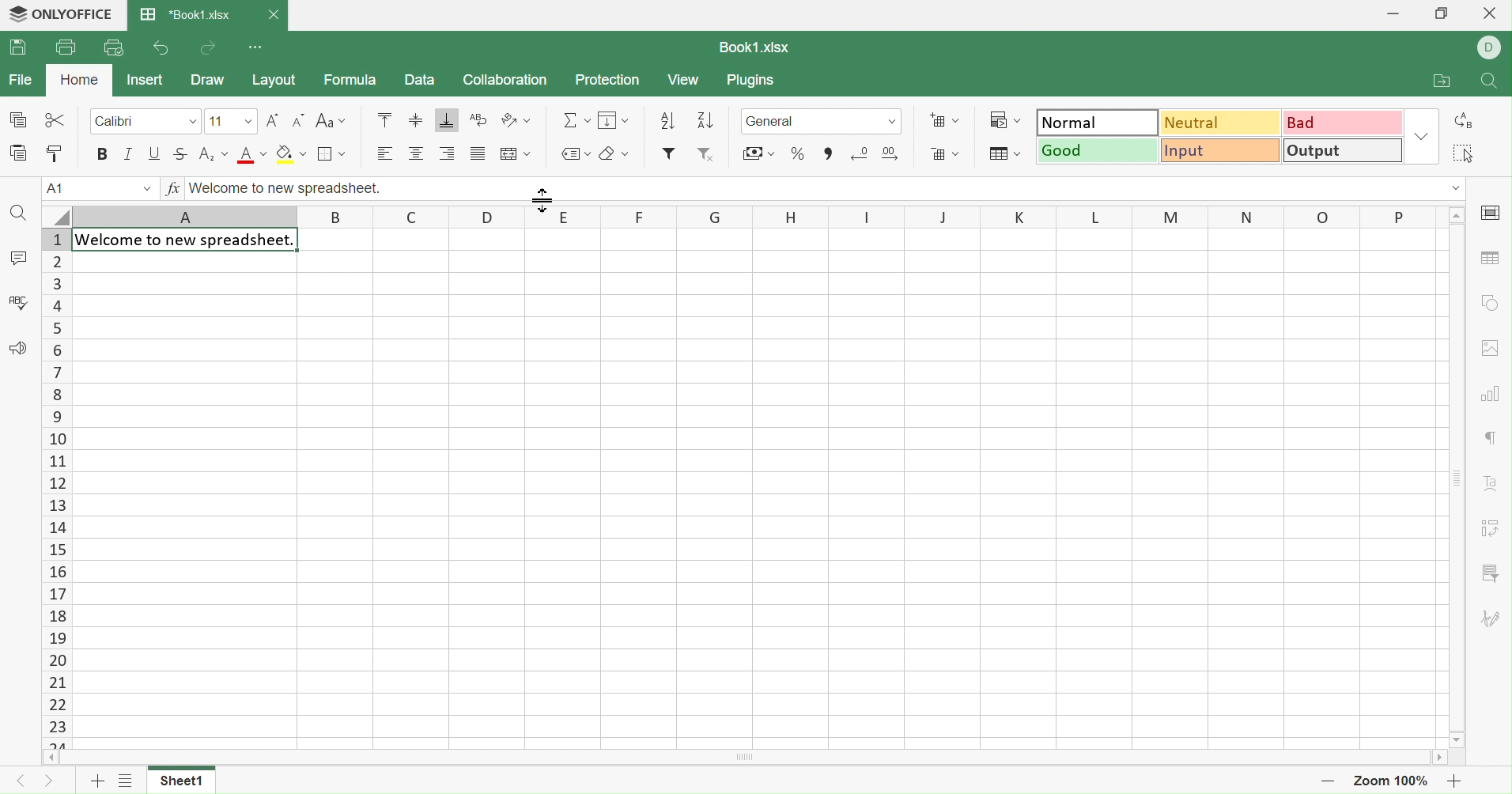  What do you see at coordinates (187, 15) in the screenshot?
I see `*Book1.xlsx` at bounding box center [187, 15].